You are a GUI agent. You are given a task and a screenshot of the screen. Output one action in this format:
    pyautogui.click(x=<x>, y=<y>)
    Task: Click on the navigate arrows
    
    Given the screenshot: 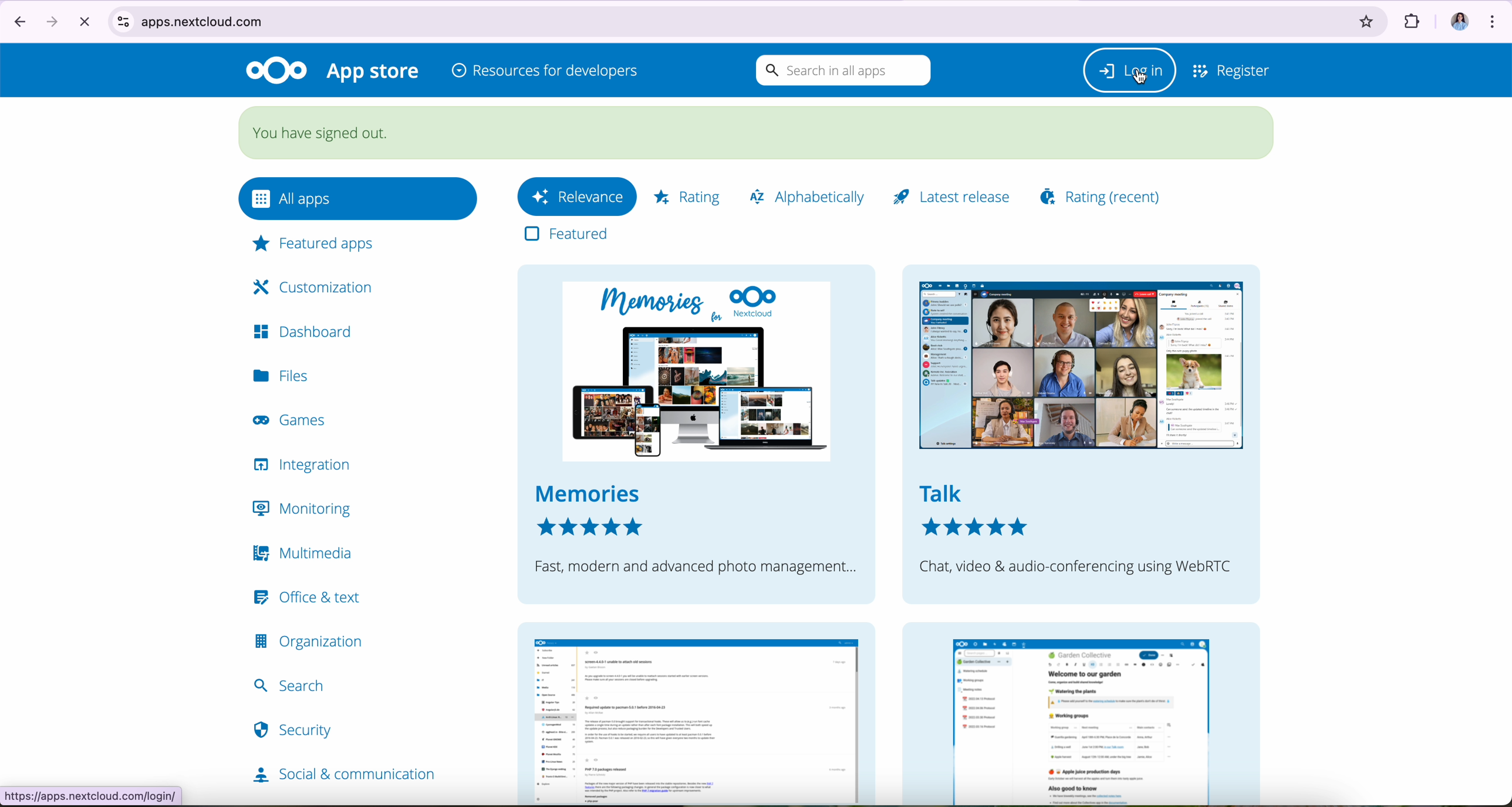 What is the action you would take?
    pyautogui.click(x=32, y=19)
    